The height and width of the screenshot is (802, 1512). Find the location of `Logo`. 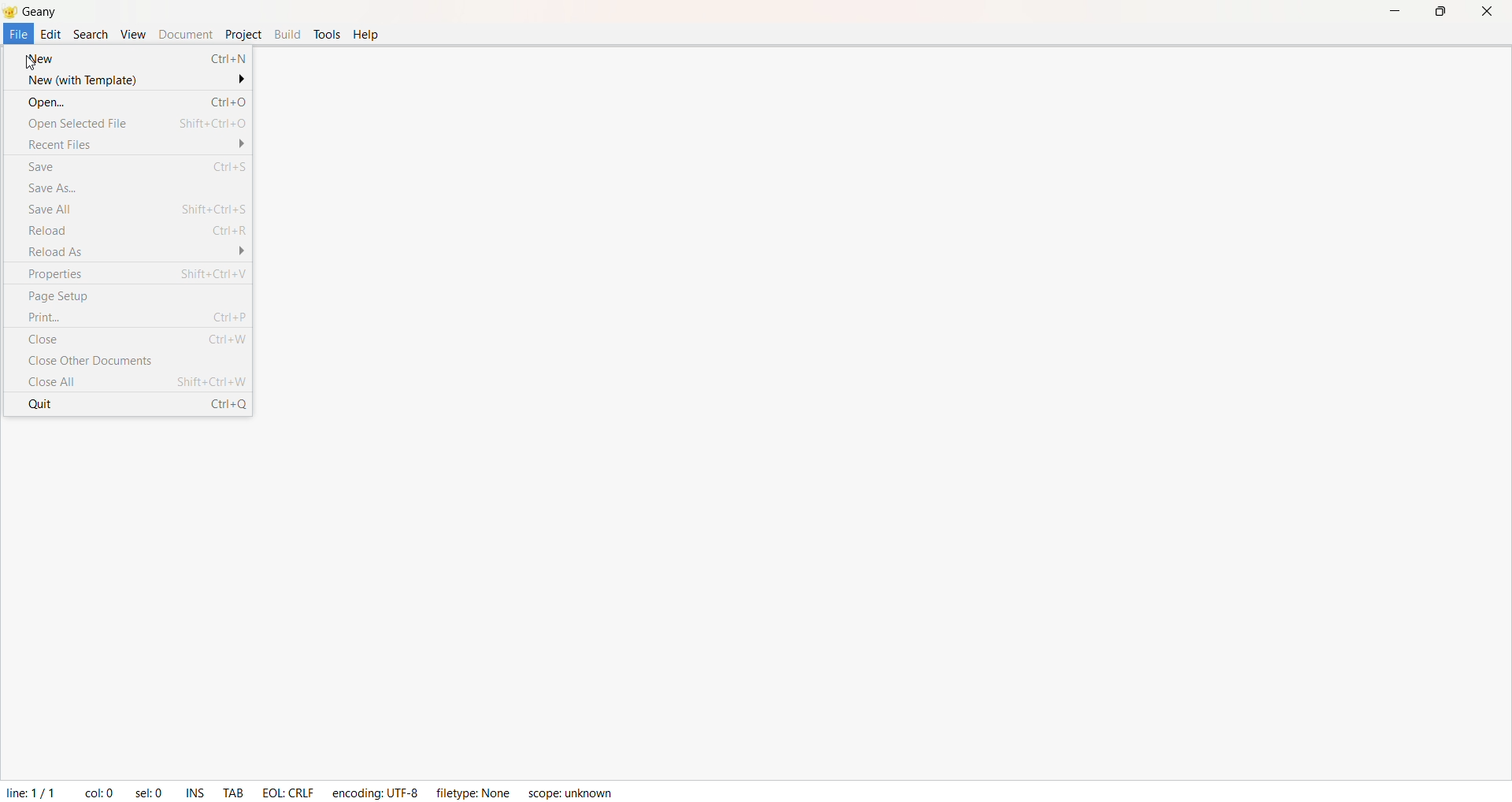

Logo is located at coordinates (12, 13).